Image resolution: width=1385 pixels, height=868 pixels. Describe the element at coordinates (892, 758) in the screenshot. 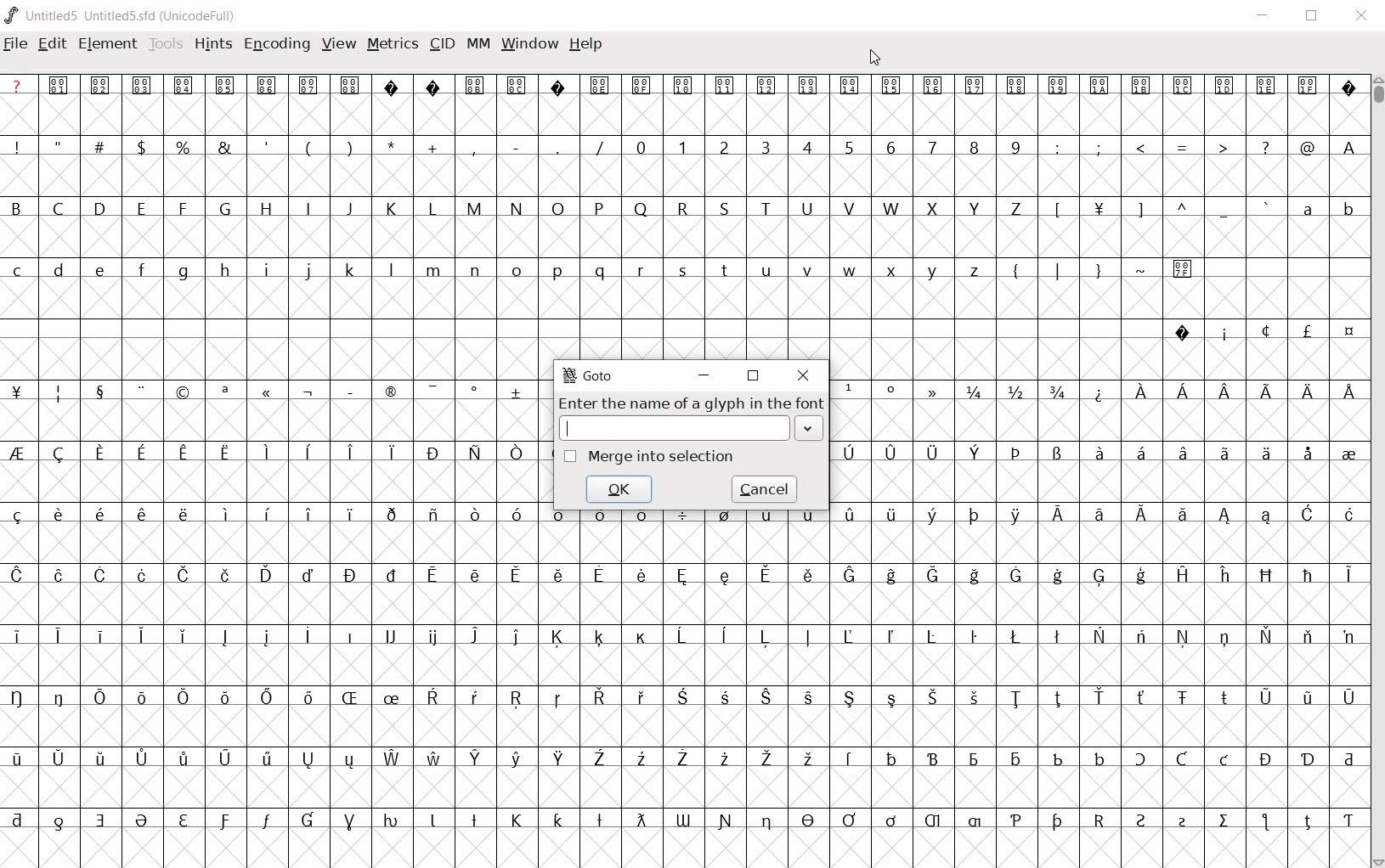

I see `Symbol` at that location.